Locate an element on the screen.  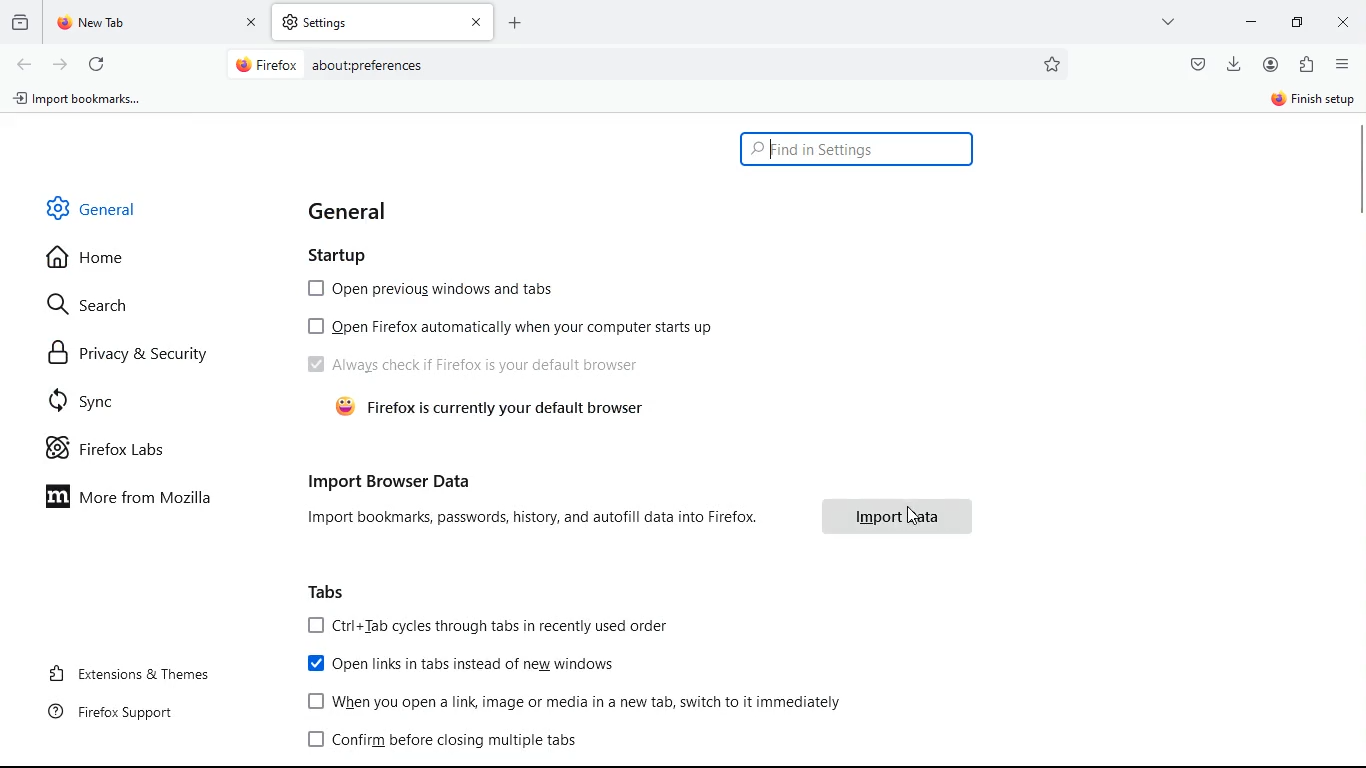
import browser data is located at coordinates (393, 478).